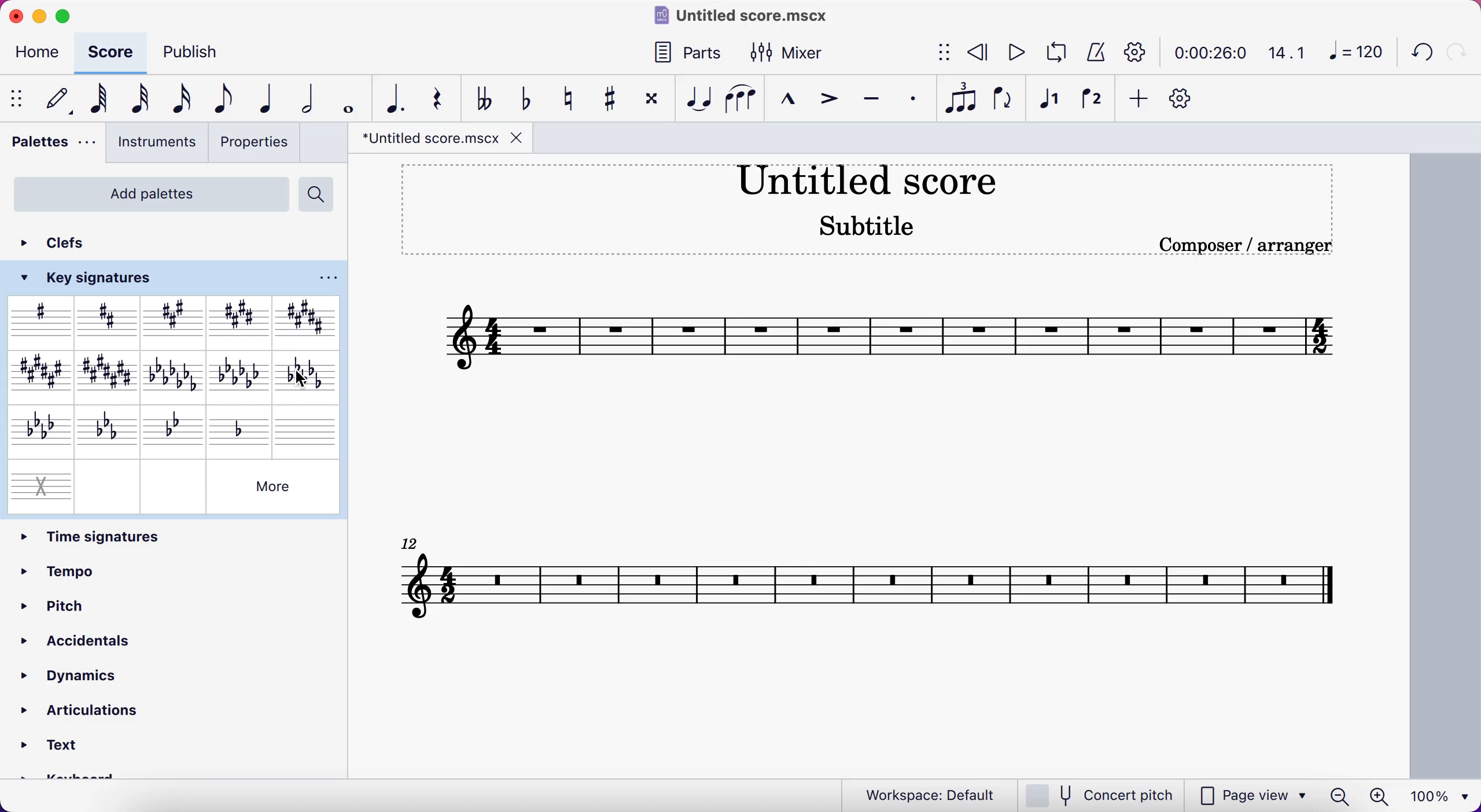  What do you see at coordinates (791, 105) in the screenshot?
I see `marcato` at bounding box center [791, 105].